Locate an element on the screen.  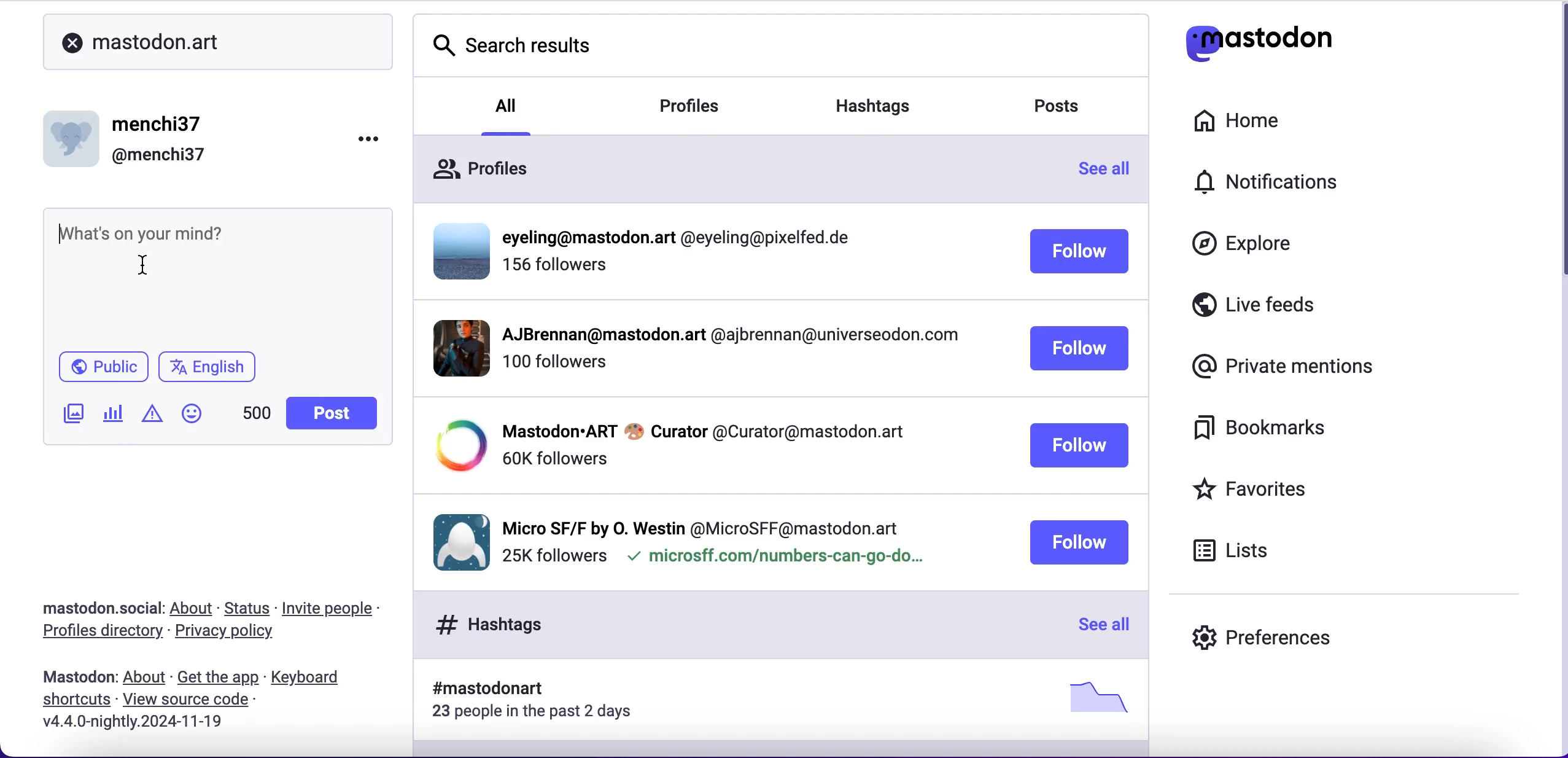
search results is located at coordinates (523, 47).